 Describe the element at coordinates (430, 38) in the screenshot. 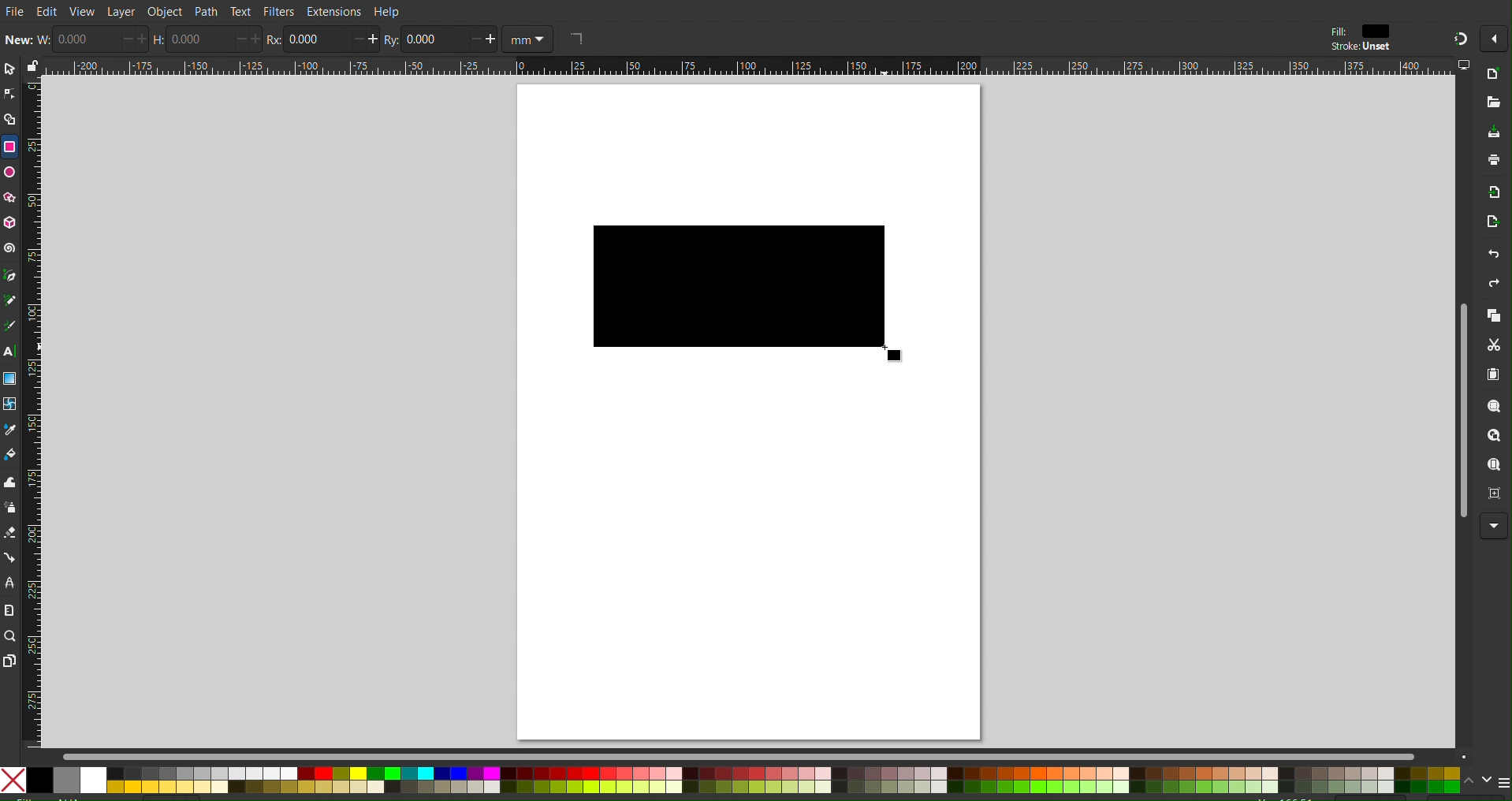

I see `0.000` at that location.